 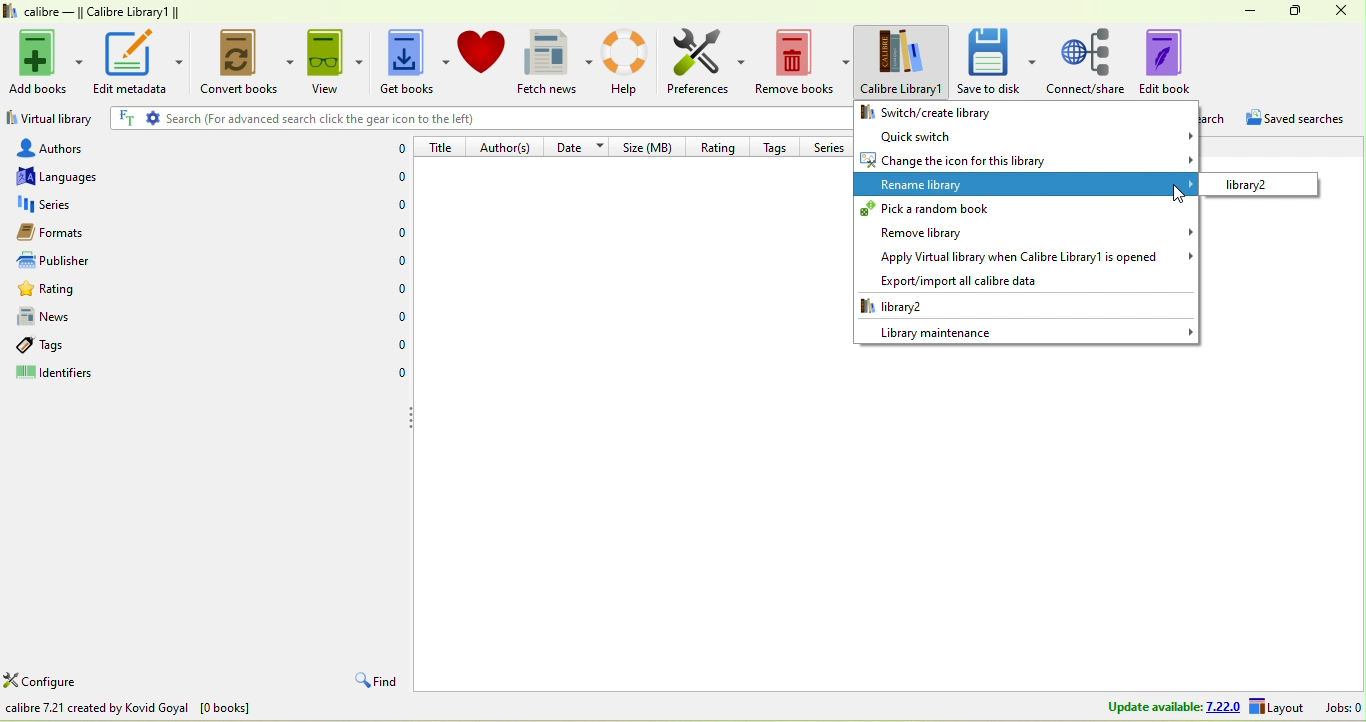 I want to click on convert books, so click(x=242, y=64).